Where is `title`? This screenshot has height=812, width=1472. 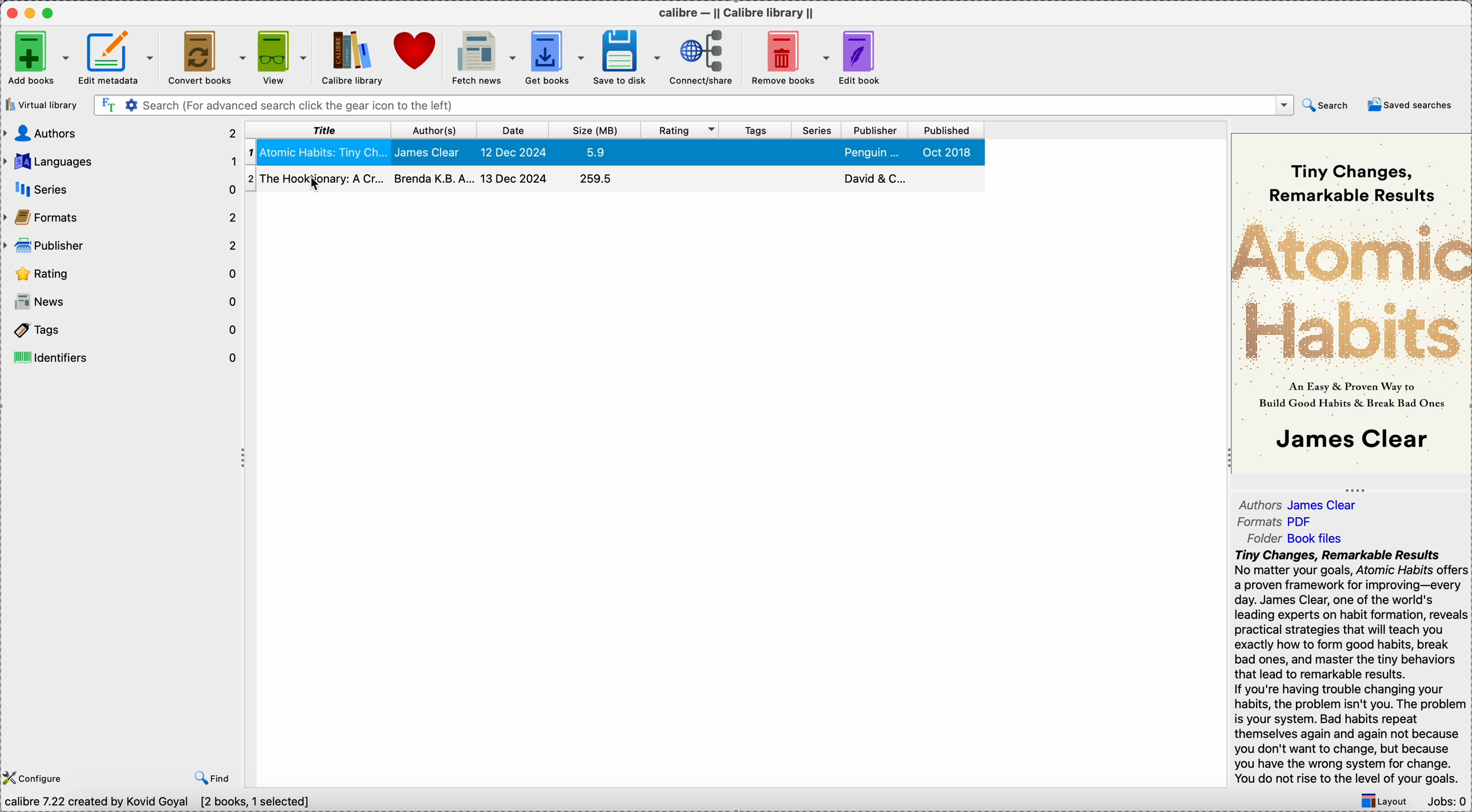
title is located at coordinates (320, 131).